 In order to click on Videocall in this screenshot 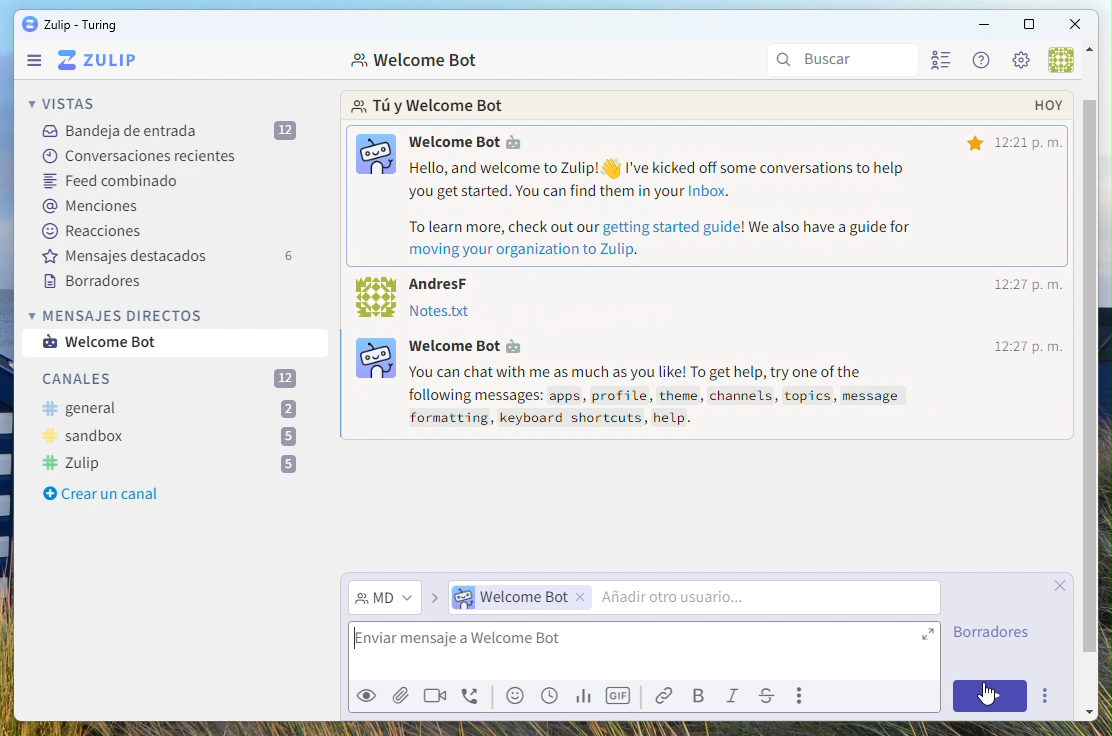, I will do `click(435, 694)`.